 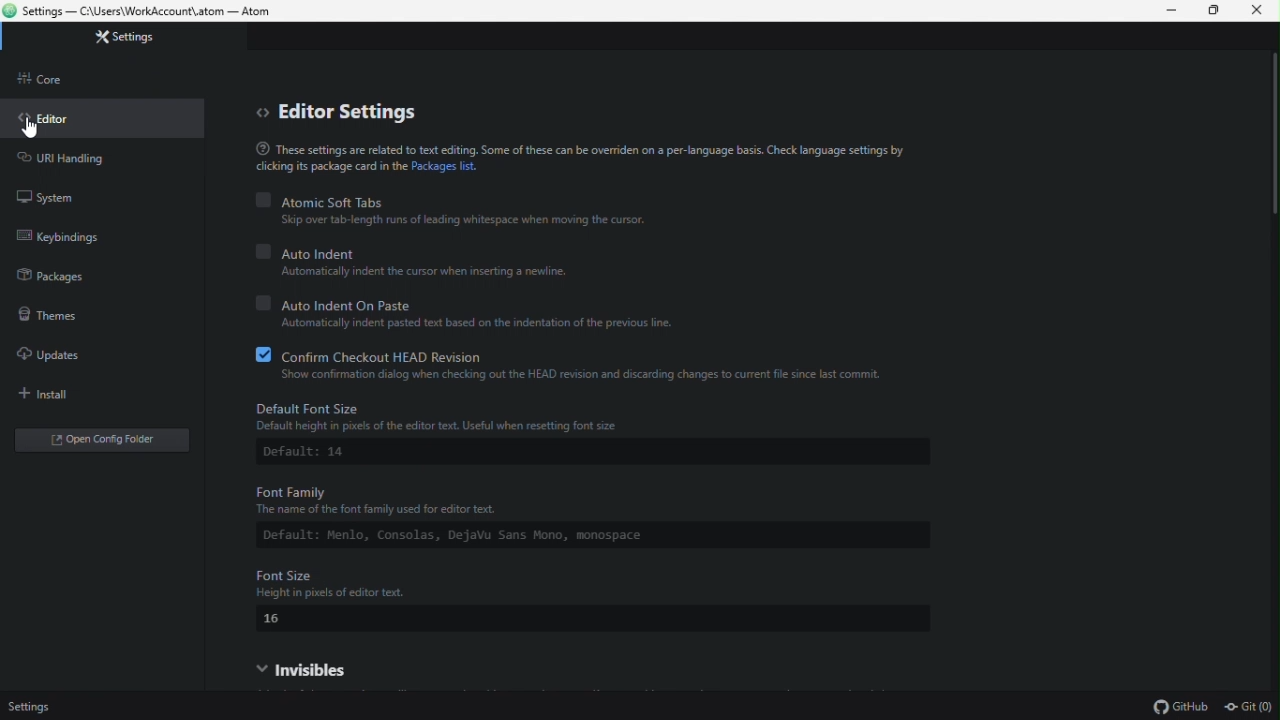 I want to click on Auto indent on paste, so click(x=491, y=303).